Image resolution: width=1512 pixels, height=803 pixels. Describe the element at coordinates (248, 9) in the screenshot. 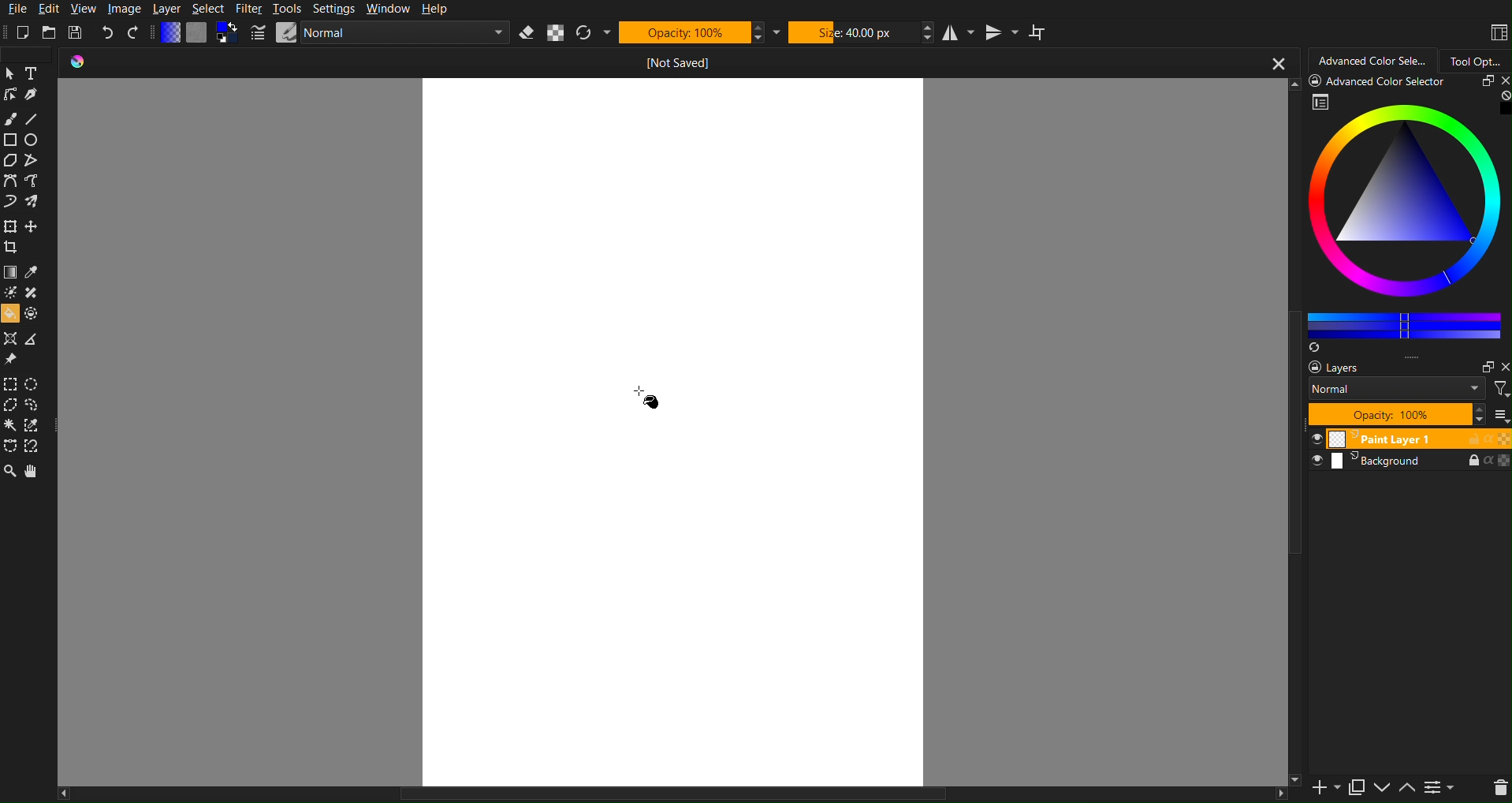

I see `Filter` at that location.